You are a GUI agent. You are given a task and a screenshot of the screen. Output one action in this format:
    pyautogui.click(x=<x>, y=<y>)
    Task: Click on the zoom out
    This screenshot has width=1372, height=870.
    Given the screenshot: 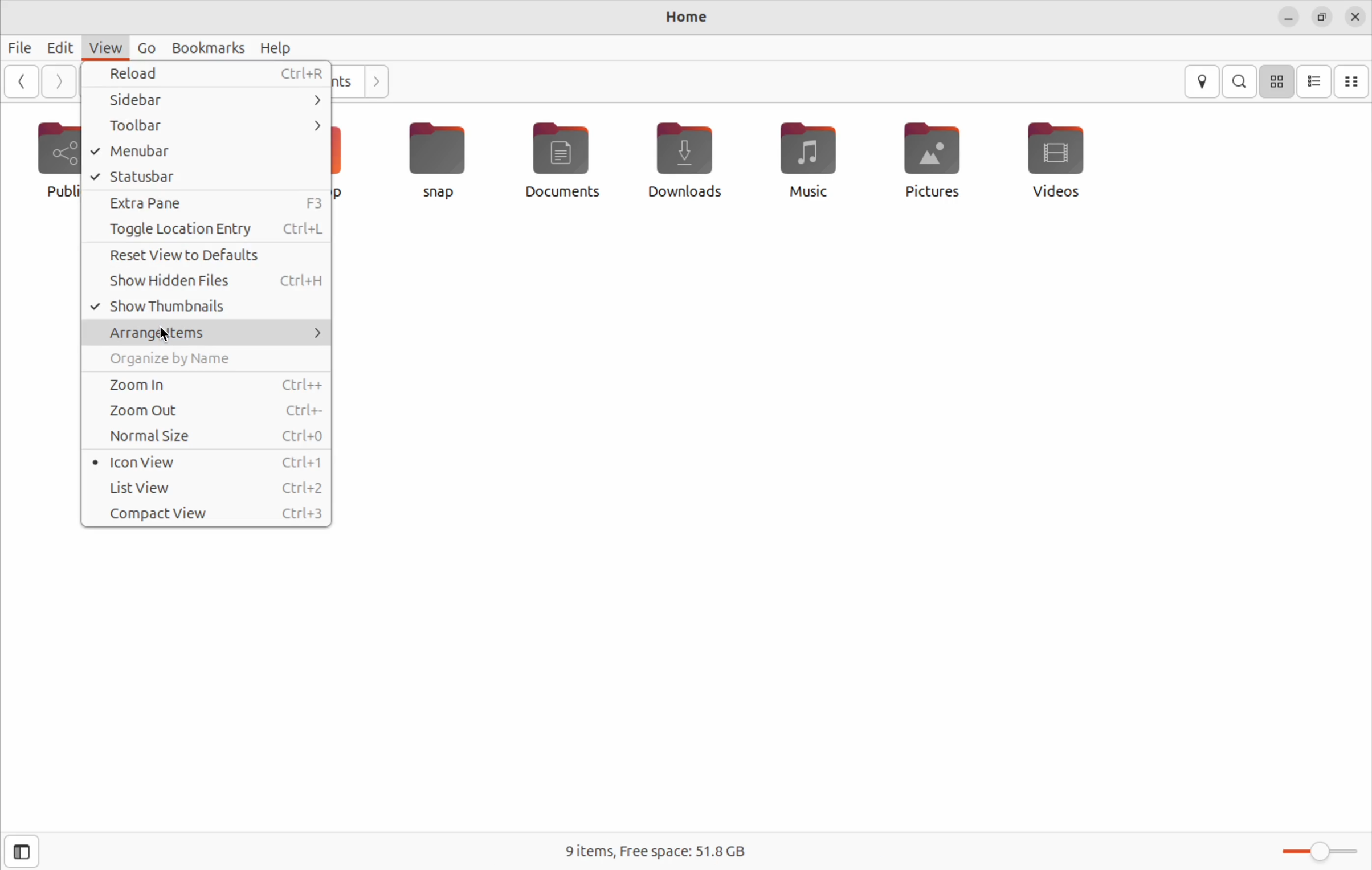 What is the action you would take?
    pyautogui.click(x=205, y=411)
    